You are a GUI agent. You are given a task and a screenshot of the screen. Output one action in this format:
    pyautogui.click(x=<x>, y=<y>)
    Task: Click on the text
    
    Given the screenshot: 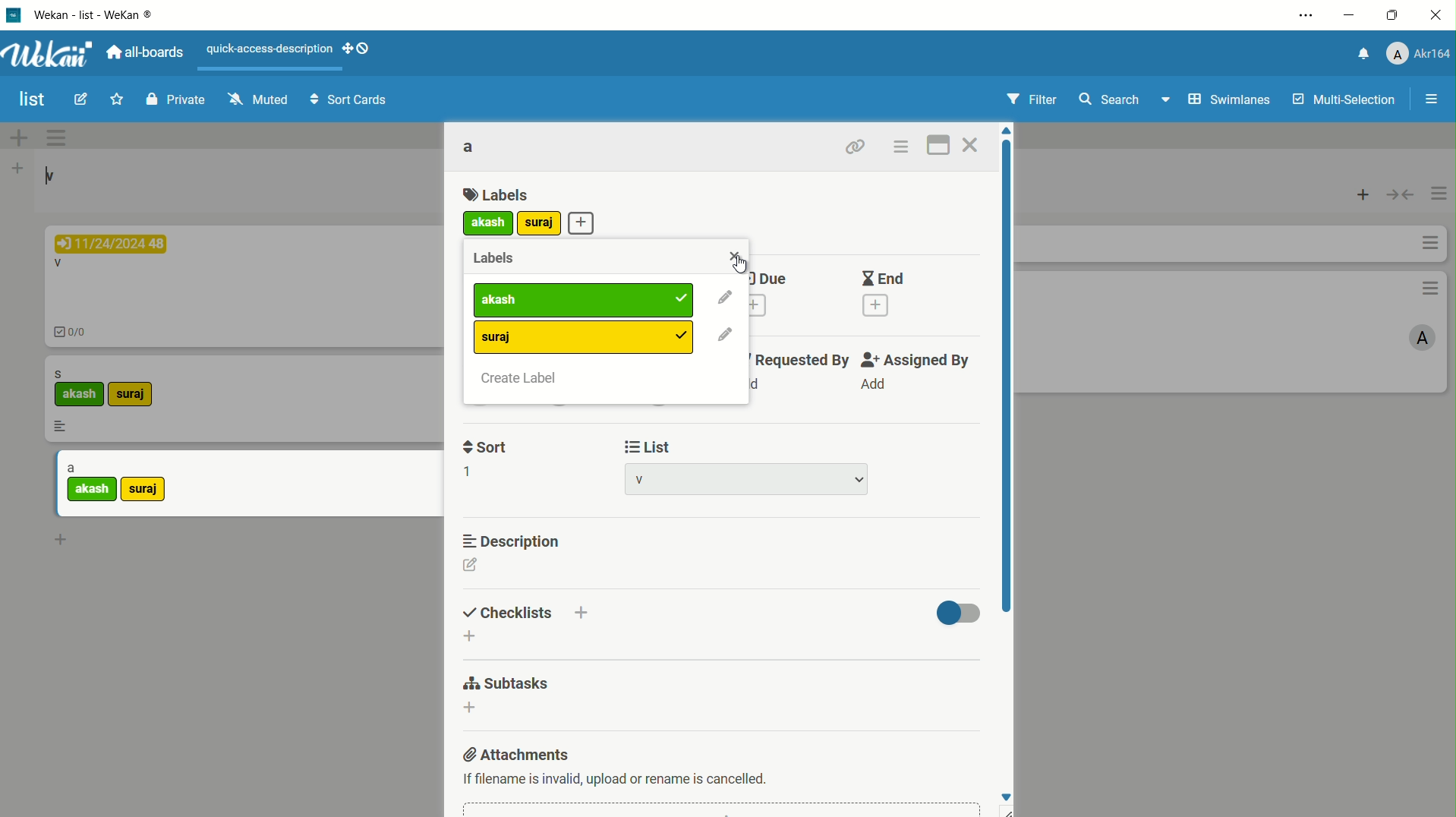 What is the action you would take?
    pyautogui.click(x=617, y=776)
    